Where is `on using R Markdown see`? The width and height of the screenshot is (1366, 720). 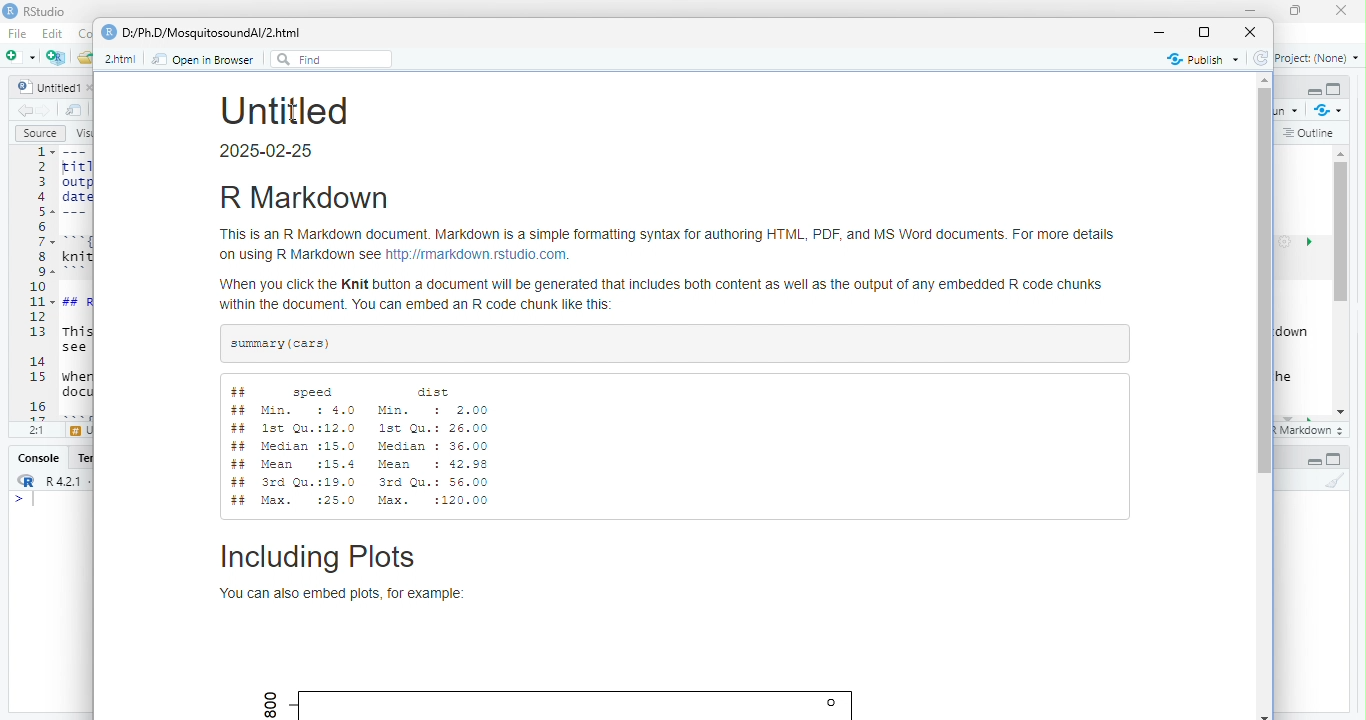
on using R Markdown see is located at coordinates (301, 257).